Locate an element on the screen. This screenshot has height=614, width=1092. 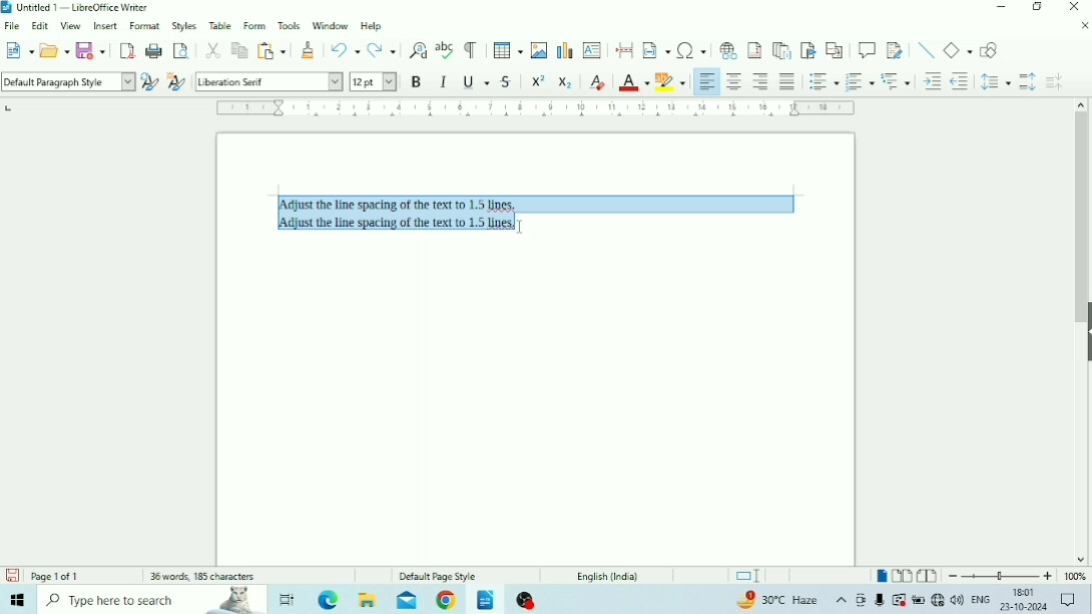
Close is located at coordinates (1075, 7).